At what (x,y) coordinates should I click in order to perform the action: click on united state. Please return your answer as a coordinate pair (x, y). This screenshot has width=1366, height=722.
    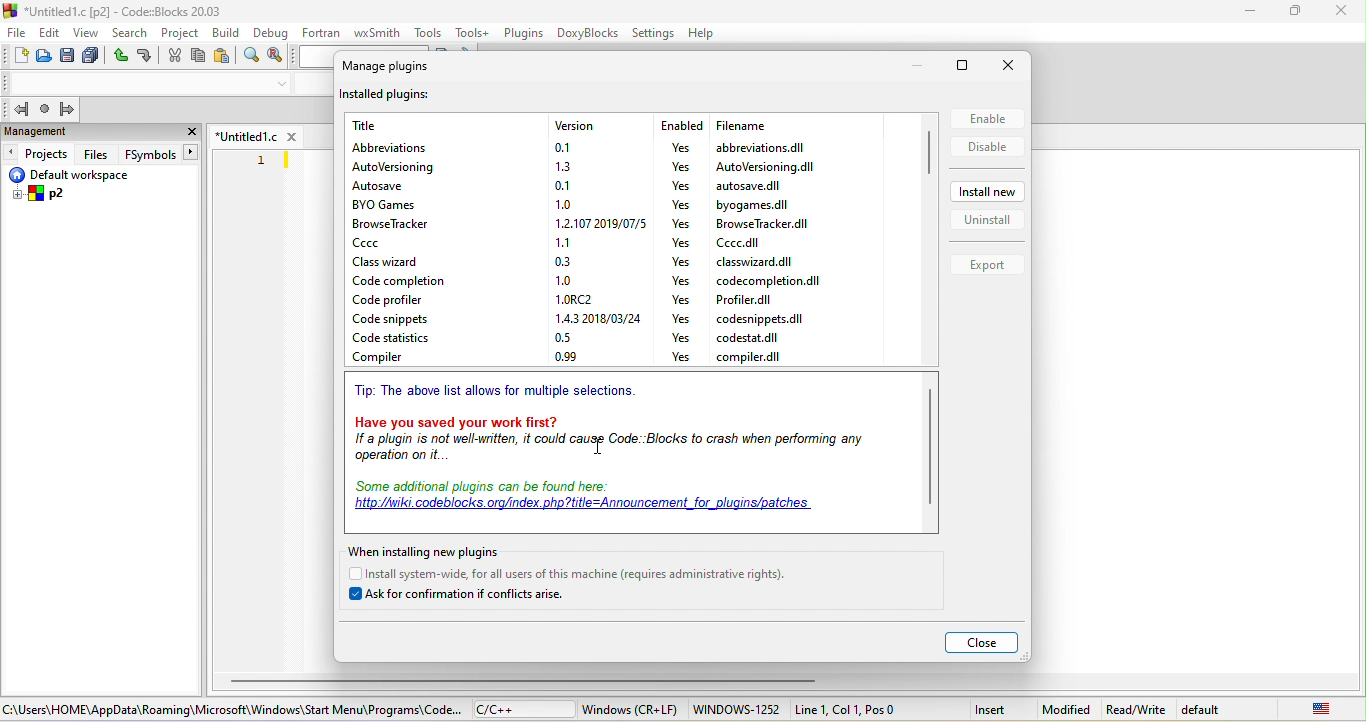
    Looking at the image, I should click on (1321, 710).